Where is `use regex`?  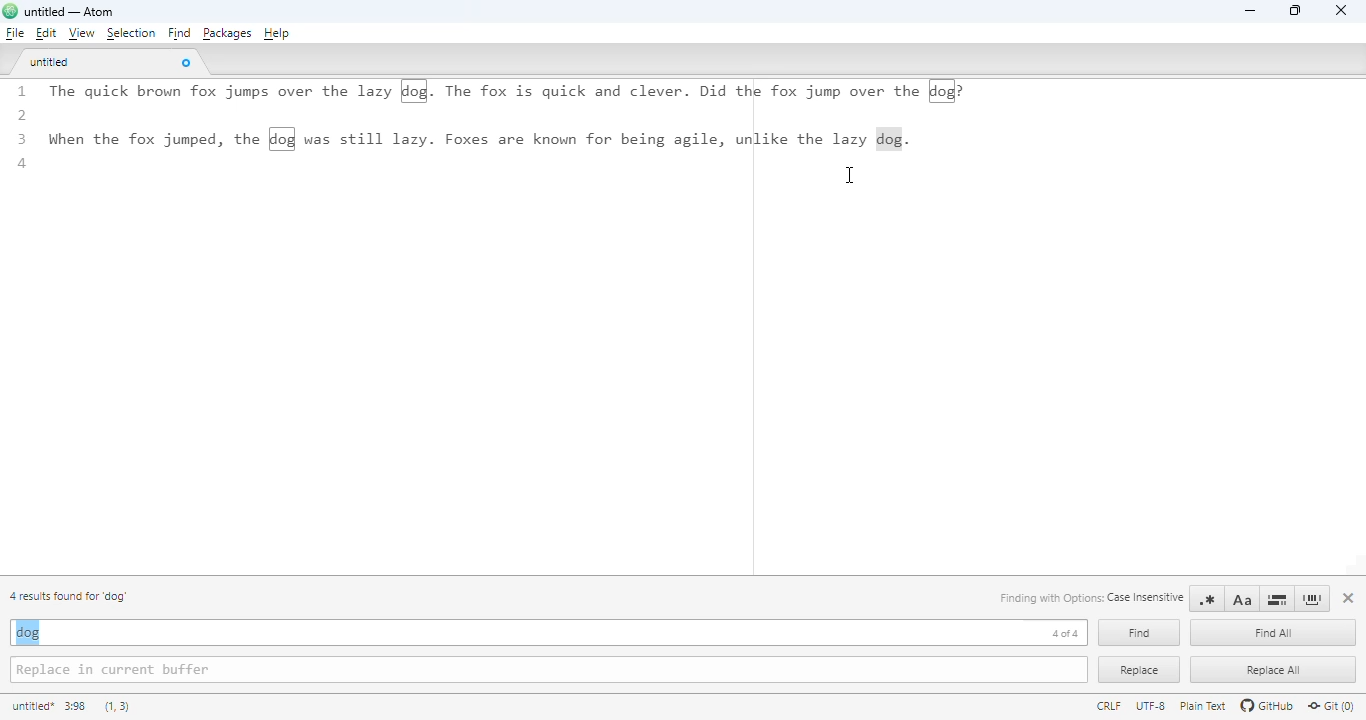 use regex is located at coordinates (1207, 599).